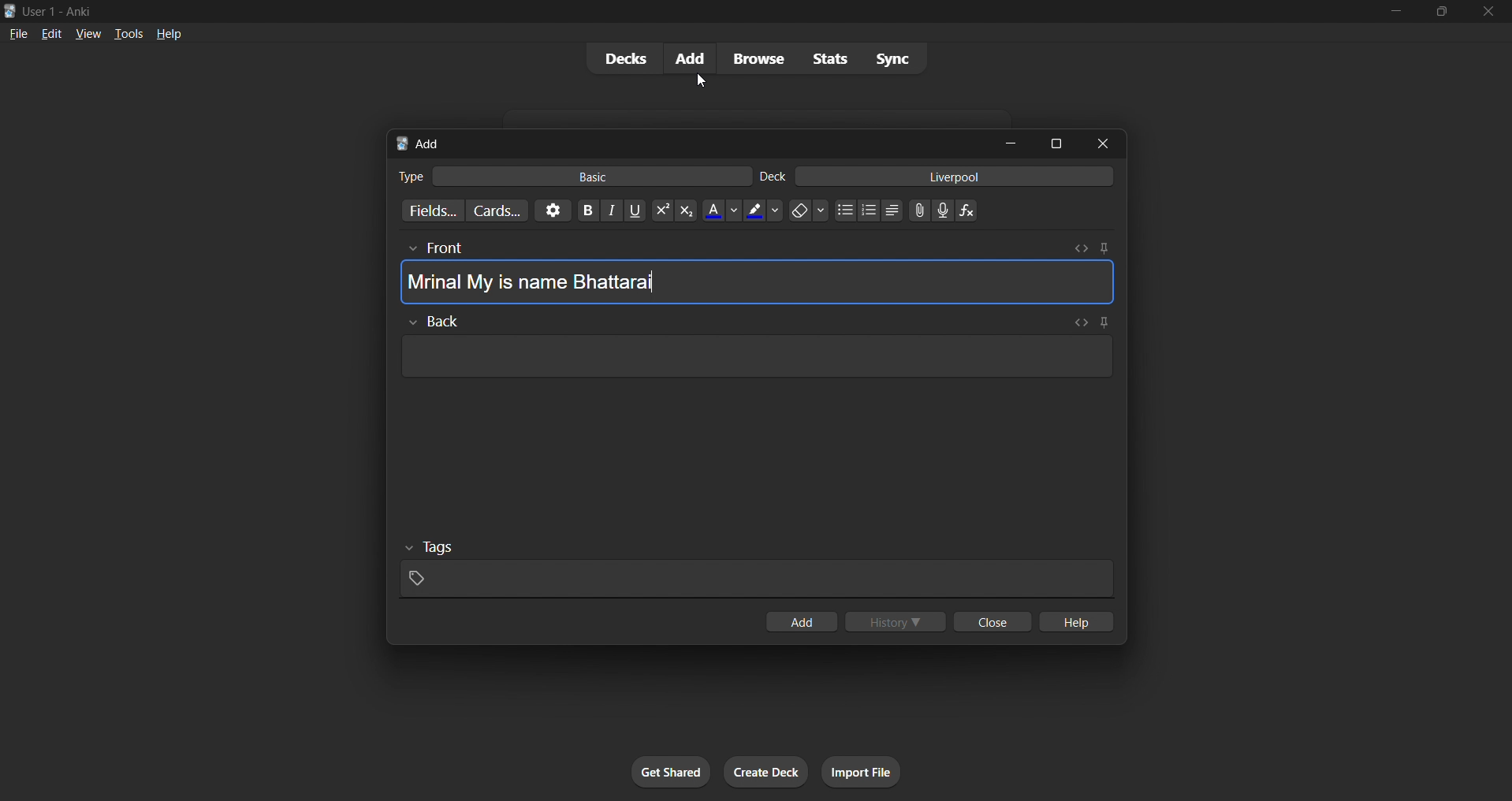 Image resolution: width=1512 pixels, height=801 pixels. What do you see at coordinates (1098, 142) in the screenshot?
I see `close` at bounding box center [1098, 142].